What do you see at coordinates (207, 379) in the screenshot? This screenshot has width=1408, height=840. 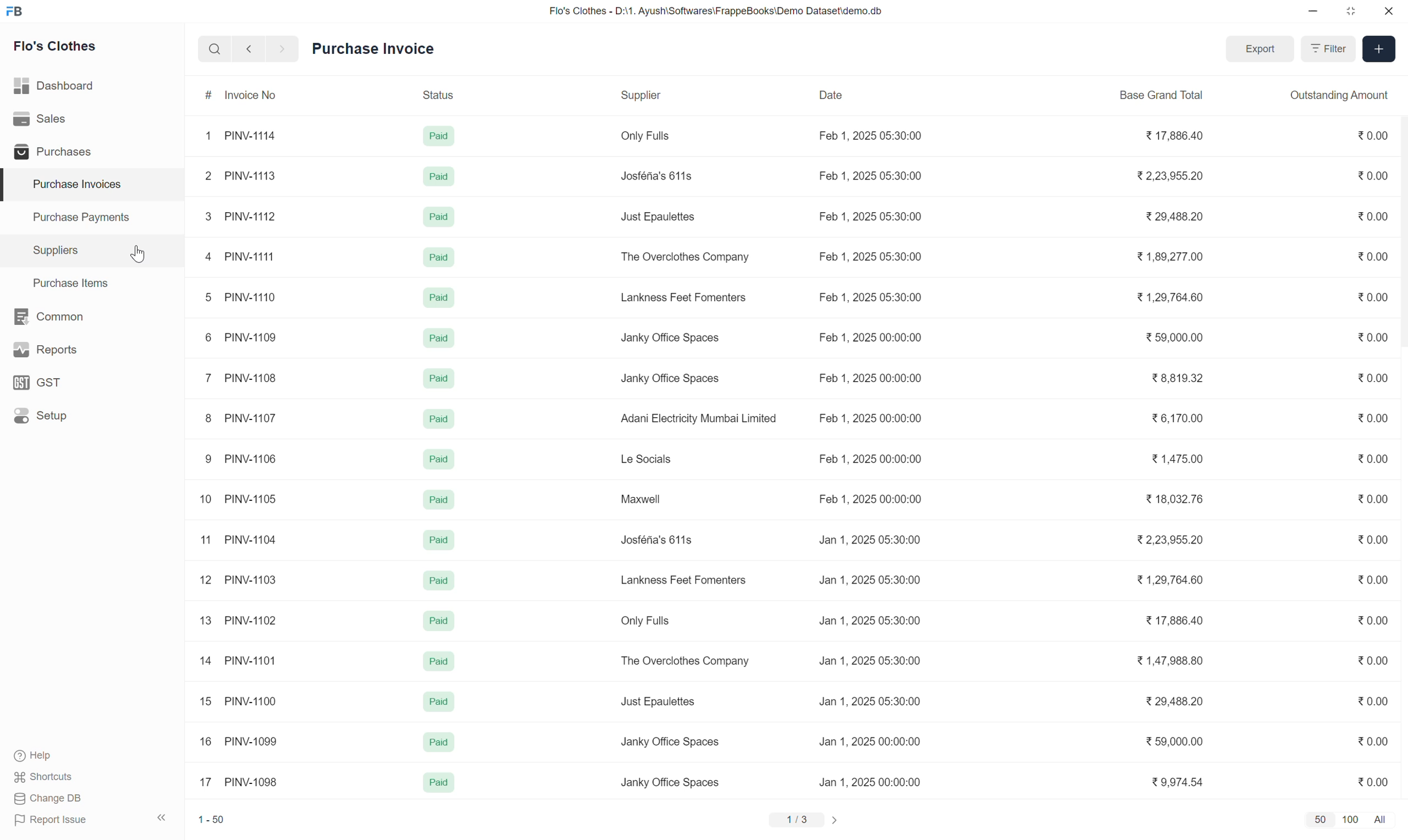 I see `7` at bounding box center [207, 379].